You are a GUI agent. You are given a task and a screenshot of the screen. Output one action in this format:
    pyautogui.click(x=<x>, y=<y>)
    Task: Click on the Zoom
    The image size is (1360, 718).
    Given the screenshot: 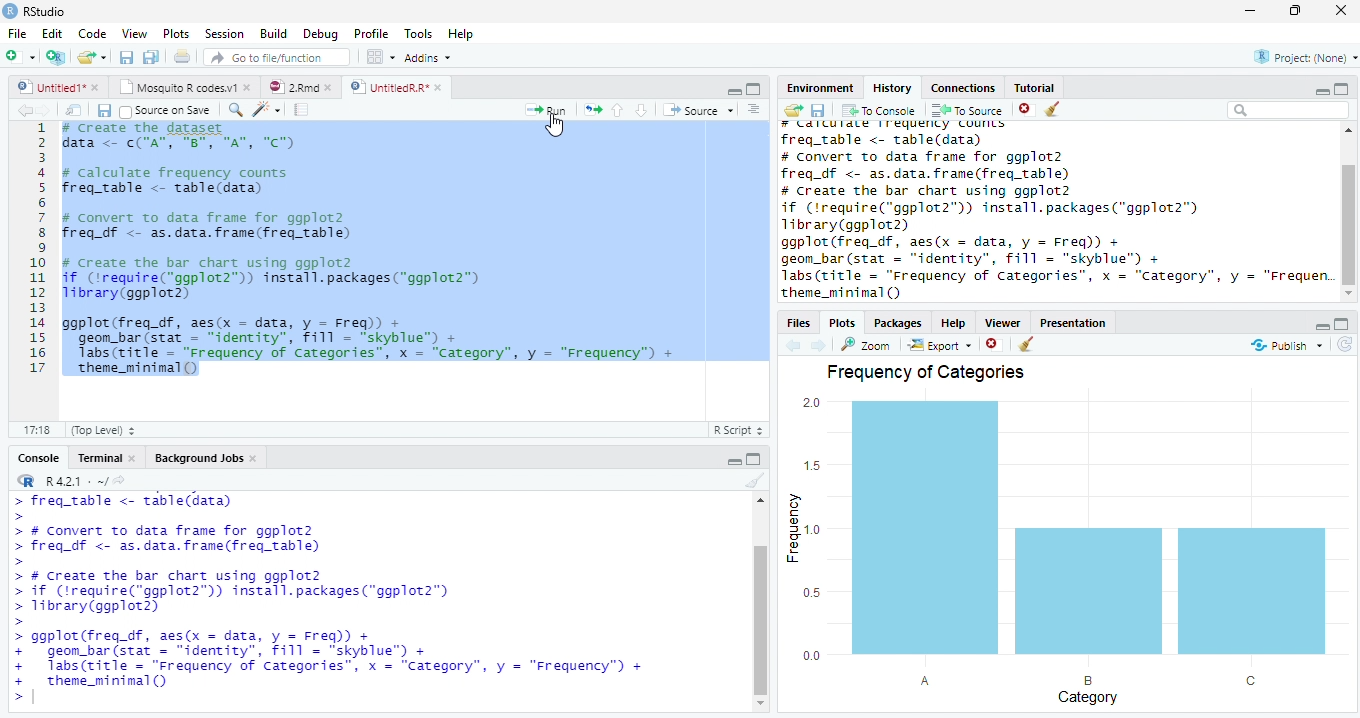 What is the action you would take?
    pyautogui.click(x=867, y=347)
    